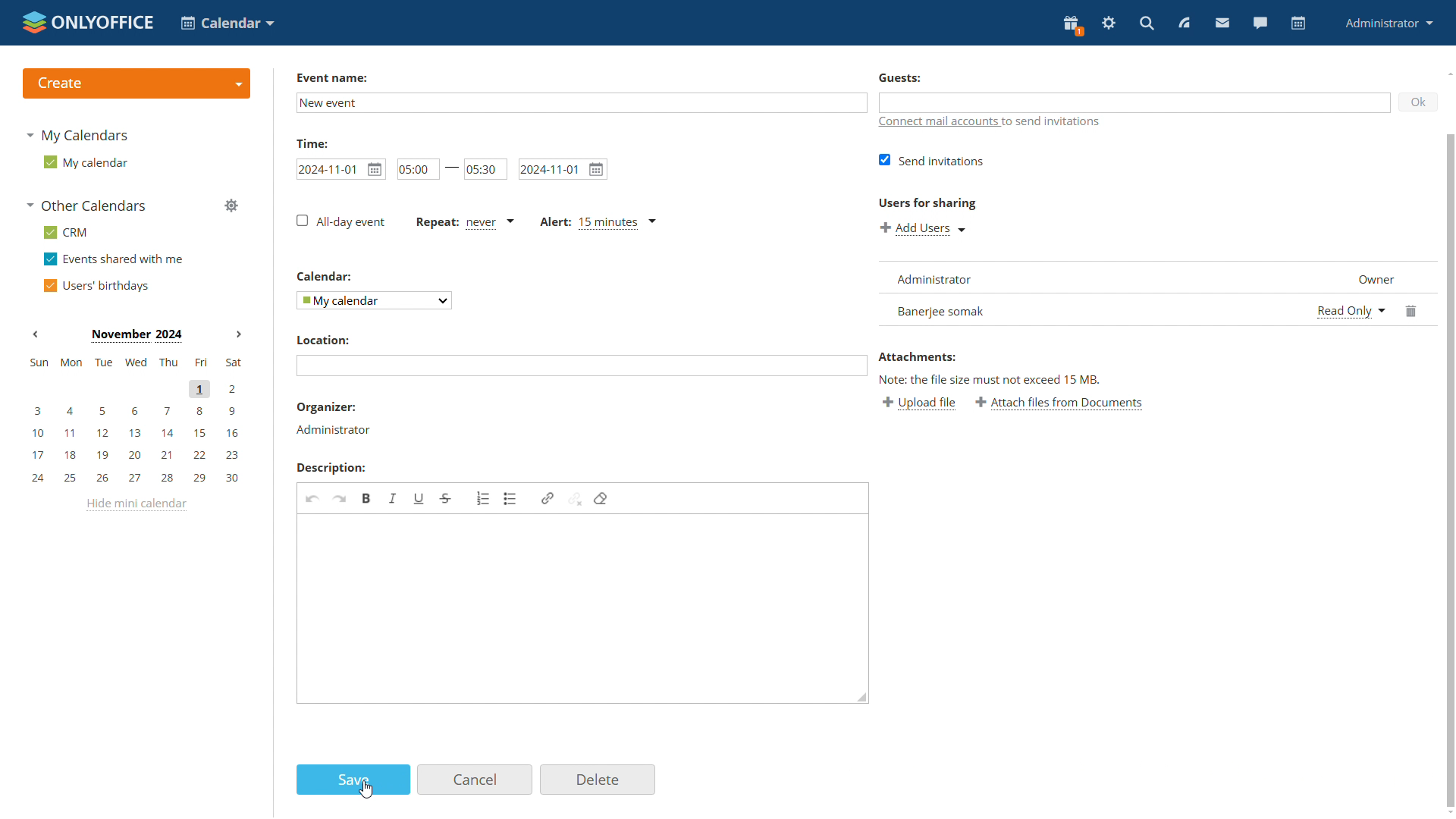 The image size is (1456, 819). I want to click on mini calendar, so click(135, 420).